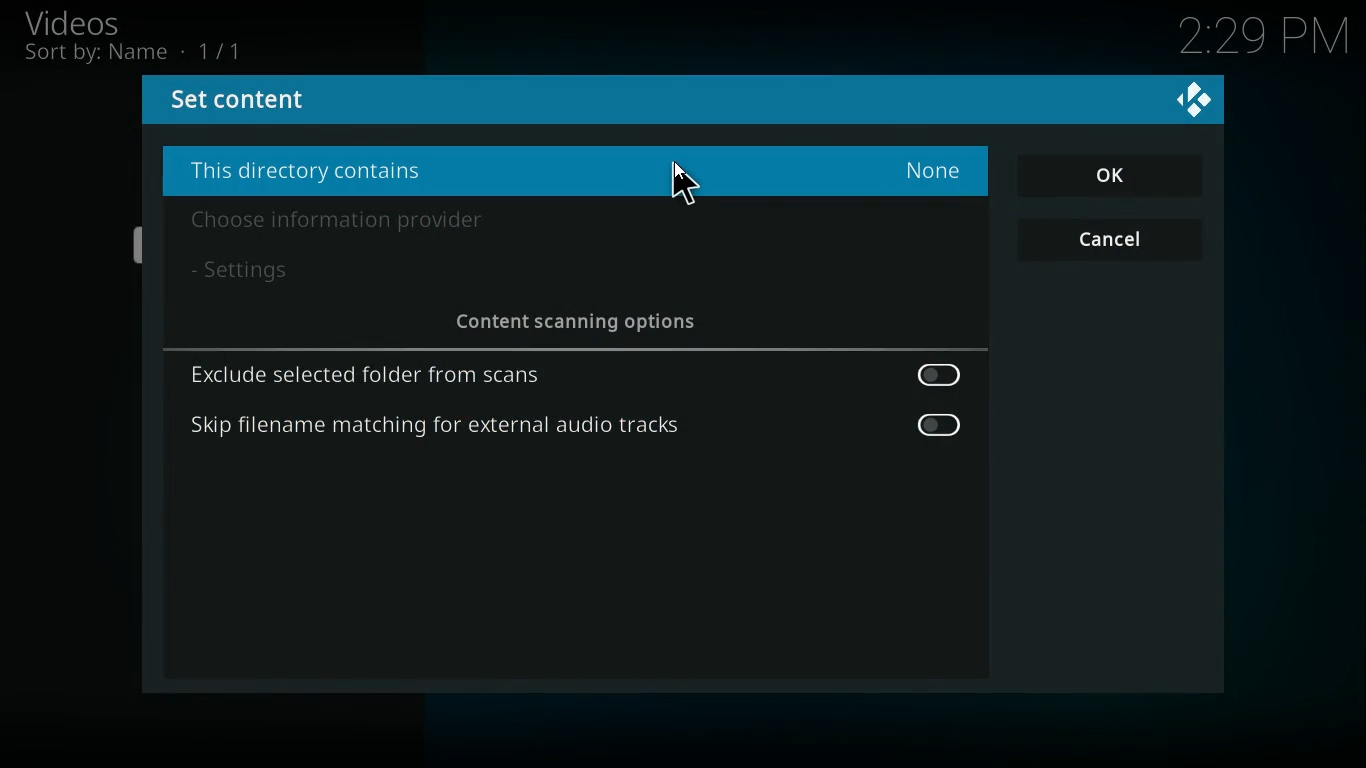 The height and width of the screenshot is (768, 1366). What do you see at coordinates (372, 376) in the screenshot?
I see `exclude selected folder from scans` at bounding box center [372, 376].